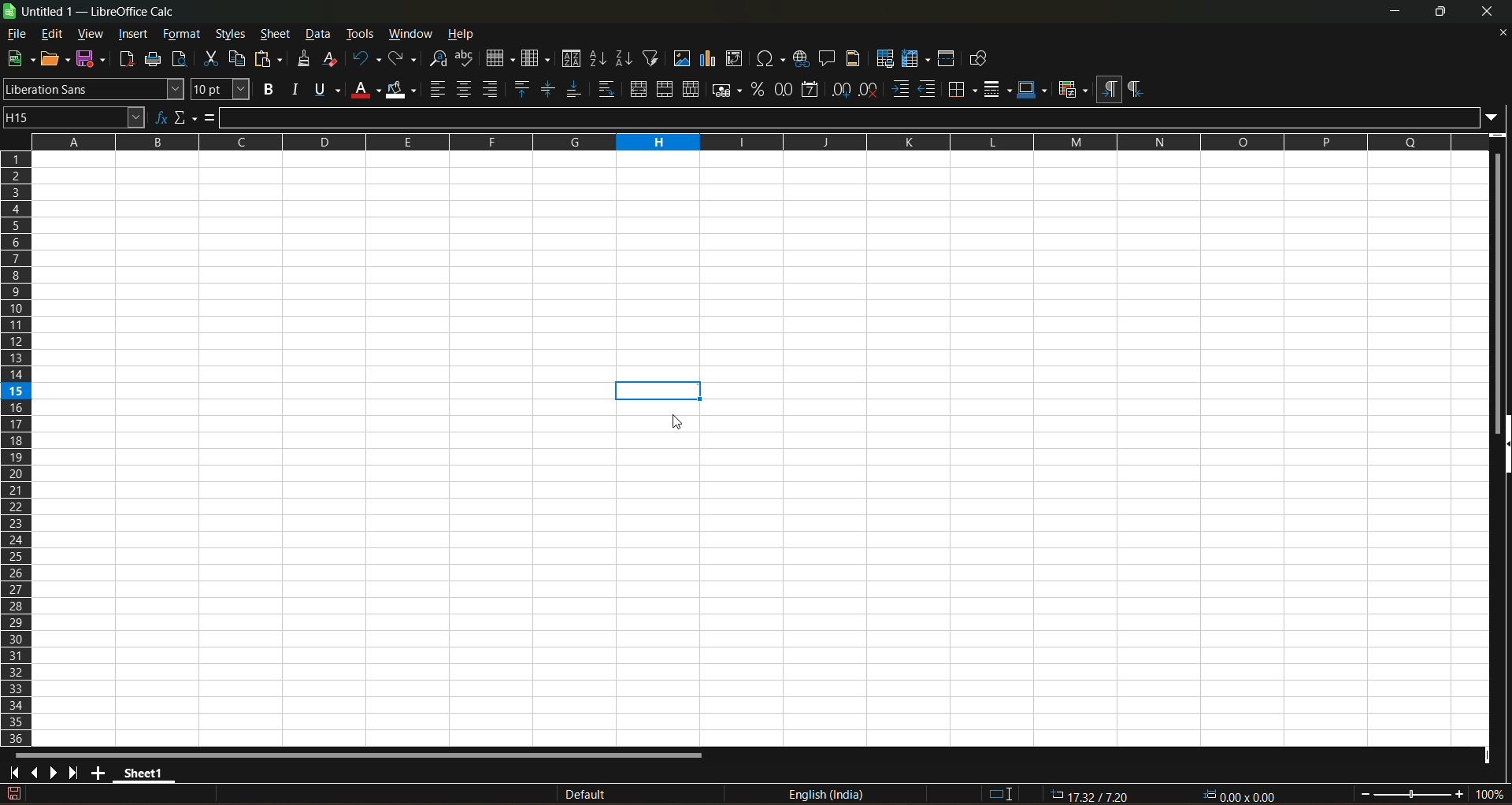 The image size is (1512, 805). I want to click on minimize, so click(1400, 13).